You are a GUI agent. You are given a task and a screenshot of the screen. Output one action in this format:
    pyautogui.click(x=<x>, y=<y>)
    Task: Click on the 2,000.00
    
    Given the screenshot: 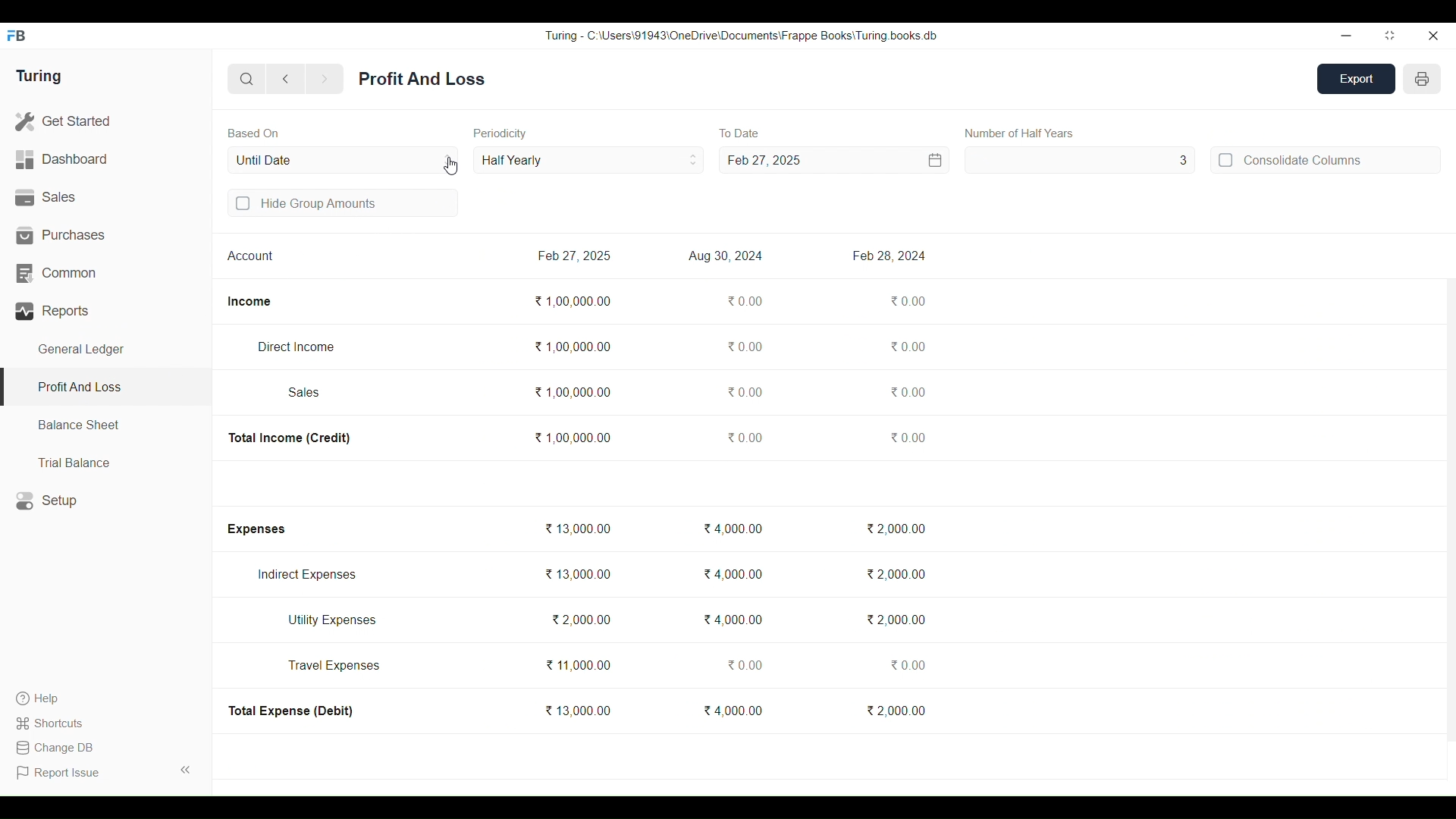 What is the action you would take?
    pyautogui.click(x=895, y=574)
    